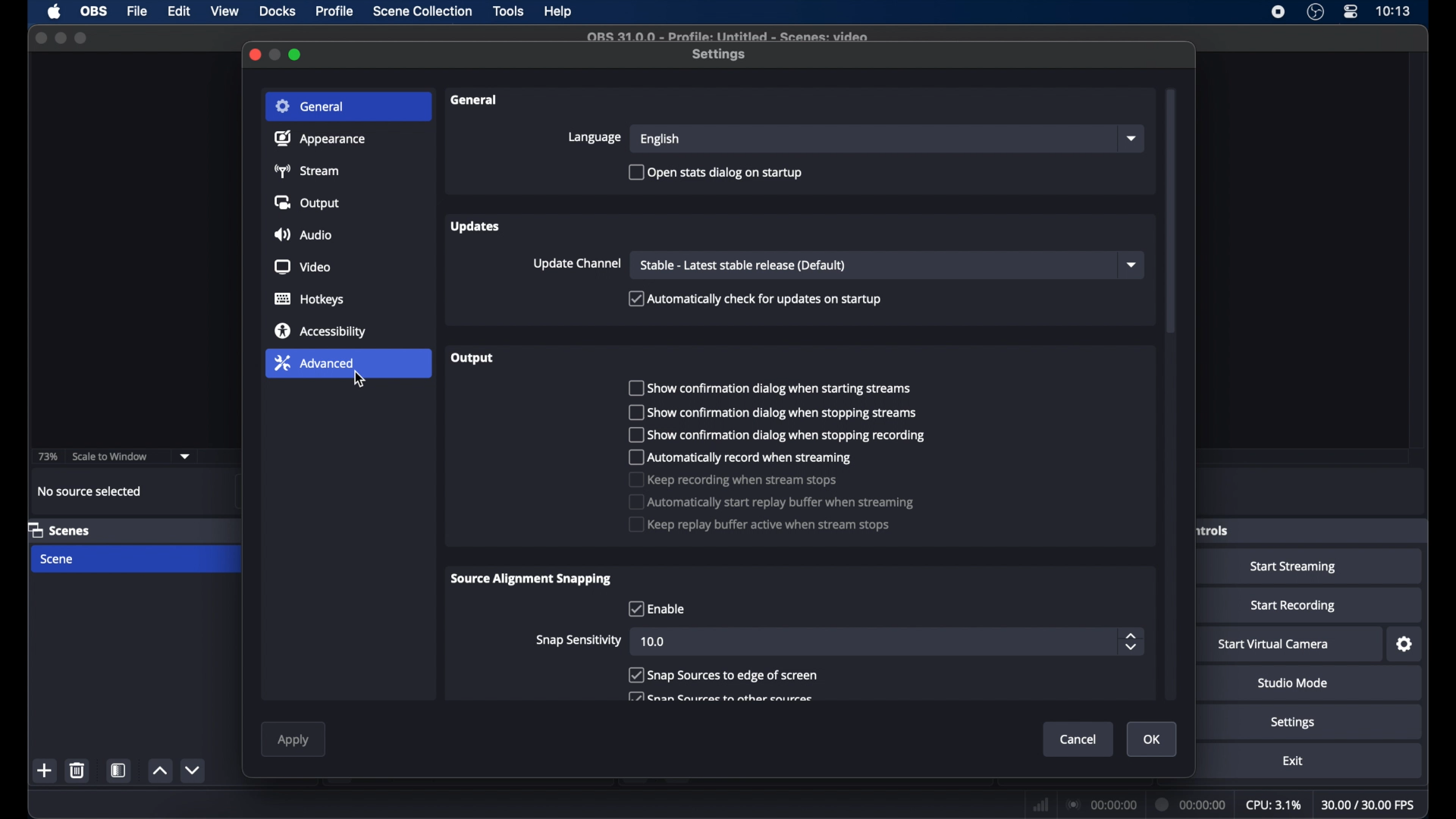 The width and height of the screenshot is (1456, 819). What do you see at coordinates (293, 740) in the screenshot?
I see `apply ` at bounding box center [293, 740].